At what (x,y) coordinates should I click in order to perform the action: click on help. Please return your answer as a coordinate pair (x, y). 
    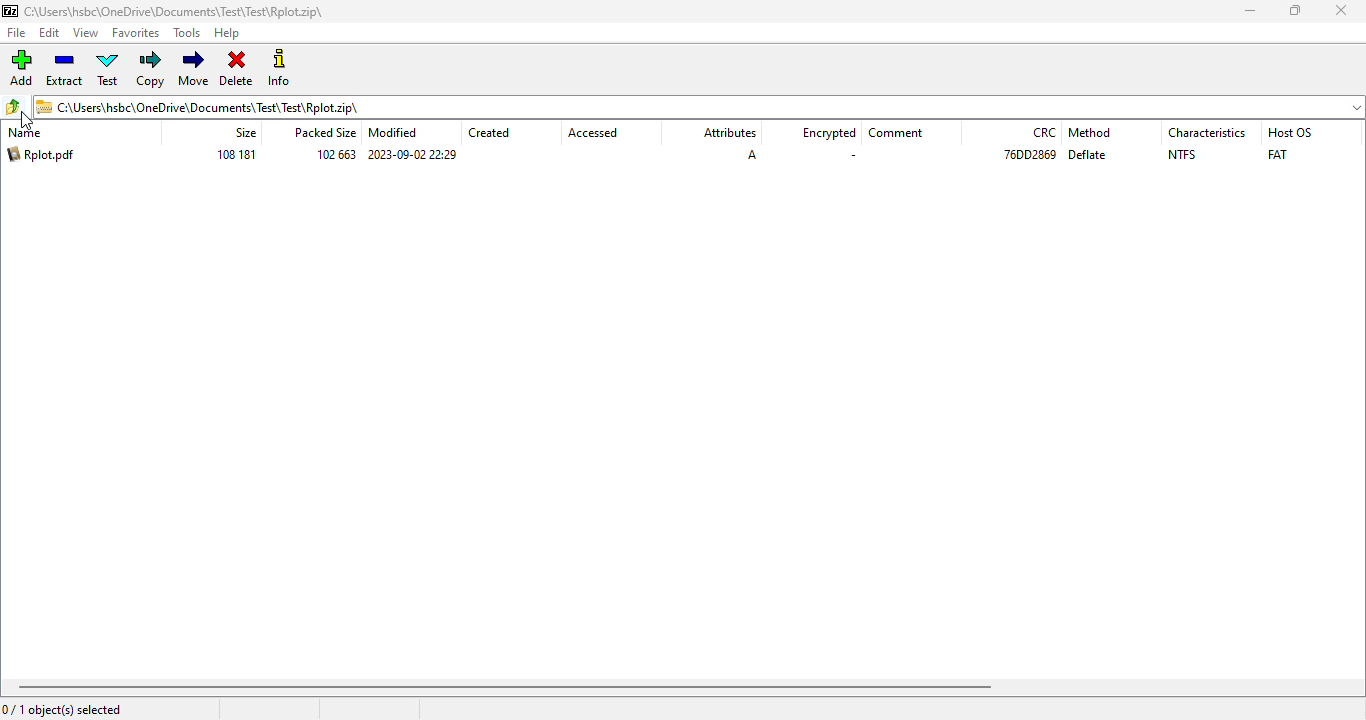
    Looking at the image, I should click on (226, 33).